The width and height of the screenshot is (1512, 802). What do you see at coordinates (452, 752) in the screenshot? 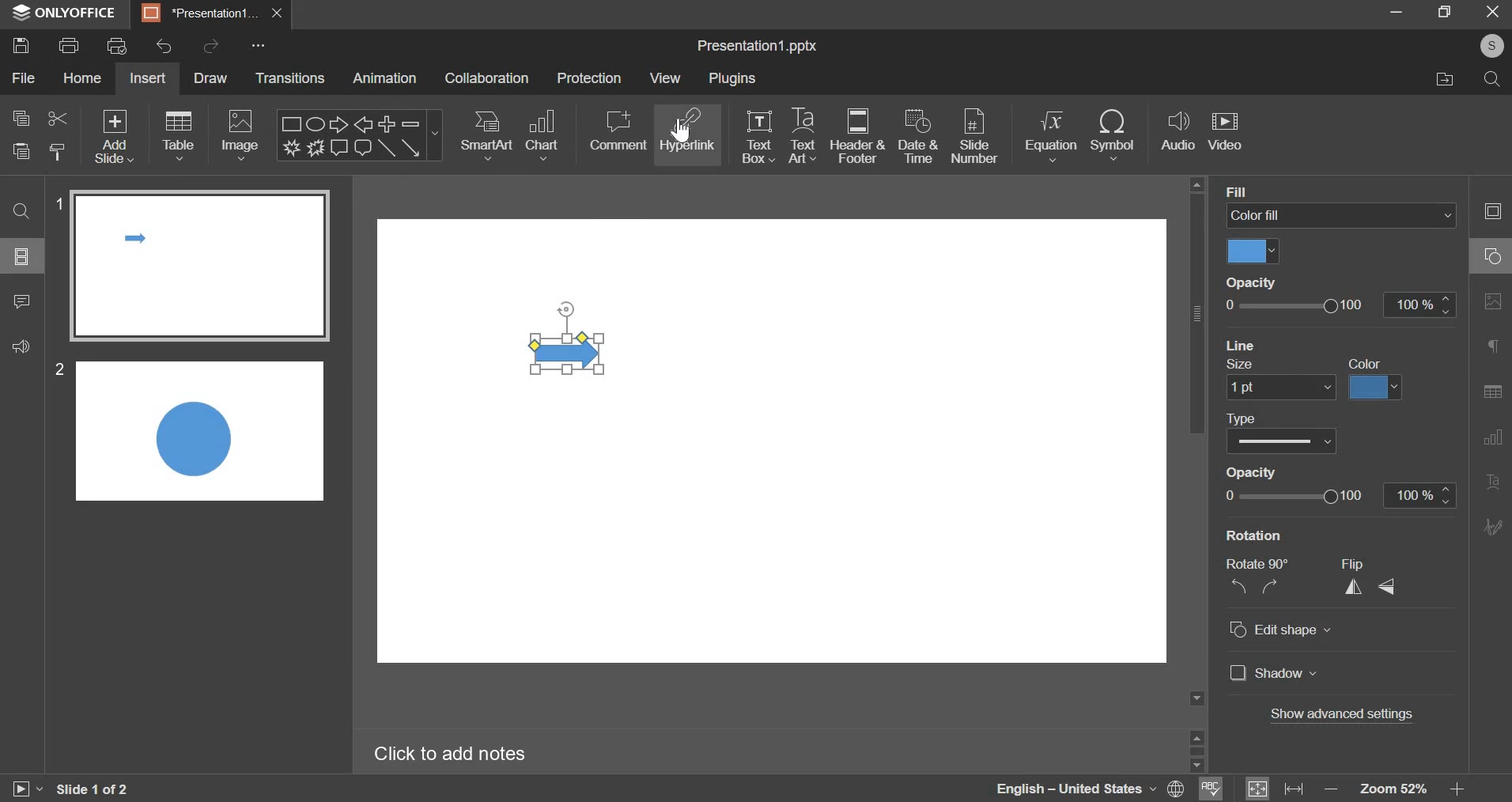
I see `Click to add notes` at bounding box center [452, 752].